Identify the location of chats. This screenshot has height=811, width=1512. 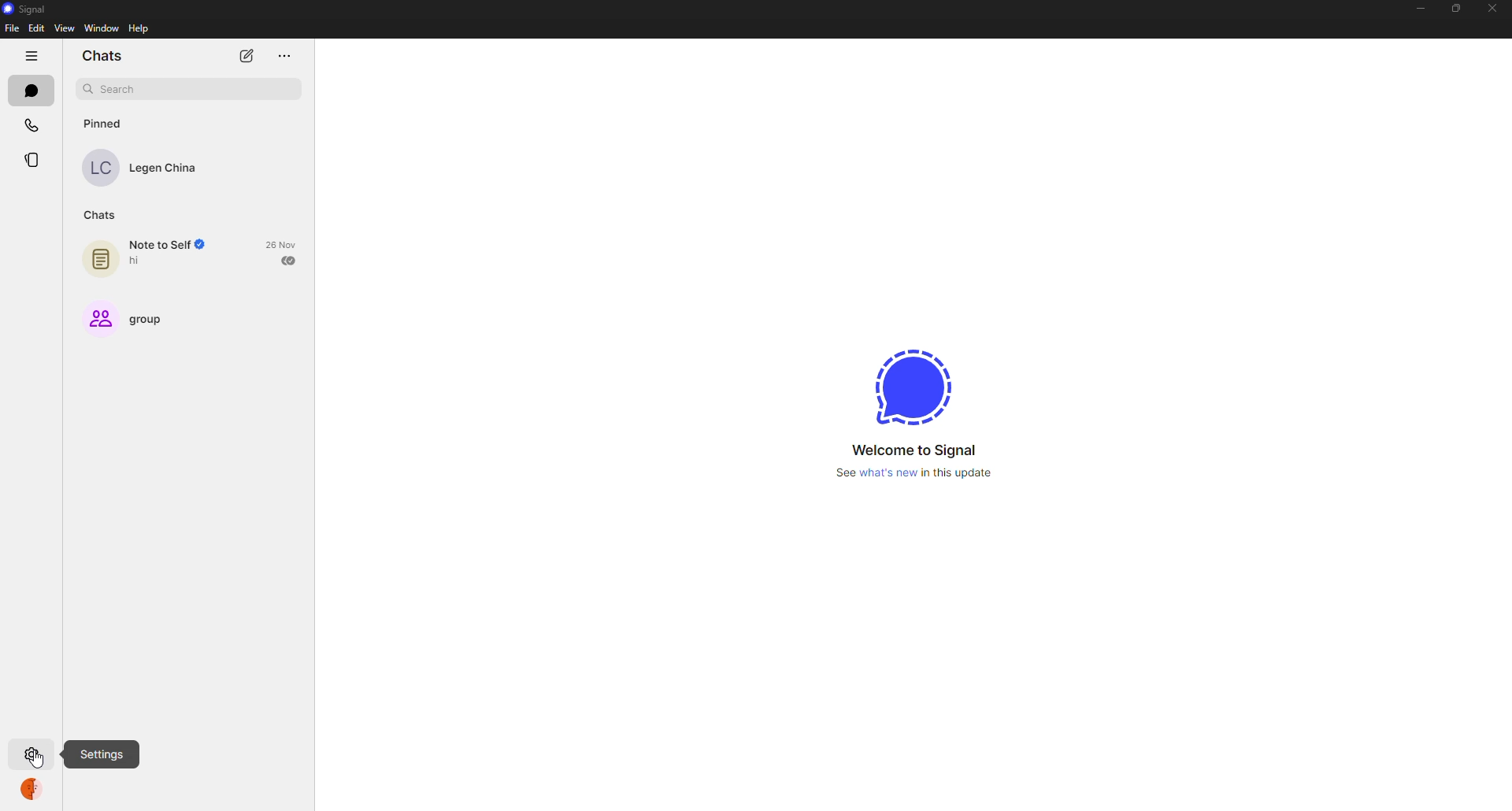
(101, 216).